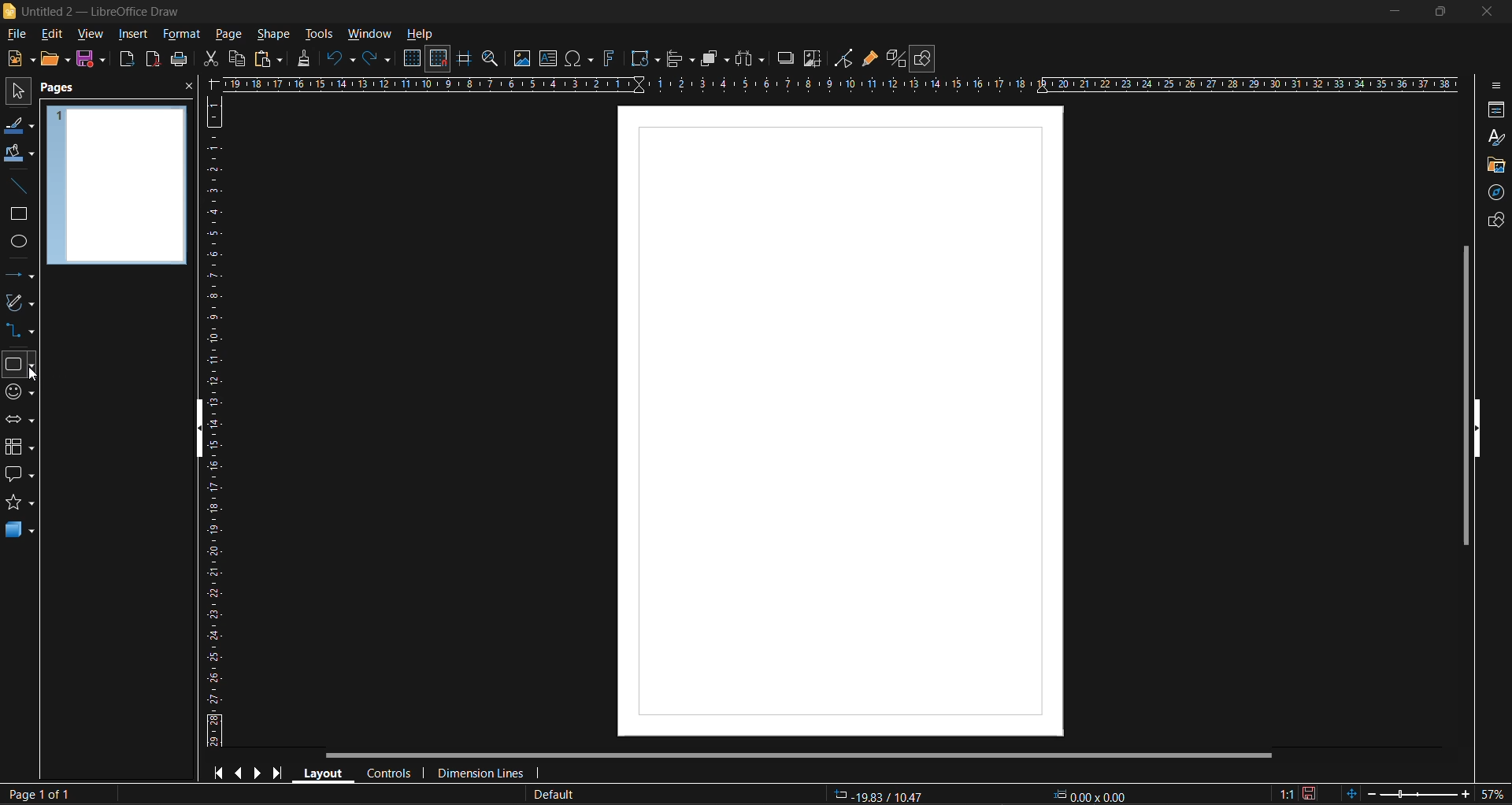 This screenshot has width=1512, height=805. I want to click on cut, so click(213, 59).